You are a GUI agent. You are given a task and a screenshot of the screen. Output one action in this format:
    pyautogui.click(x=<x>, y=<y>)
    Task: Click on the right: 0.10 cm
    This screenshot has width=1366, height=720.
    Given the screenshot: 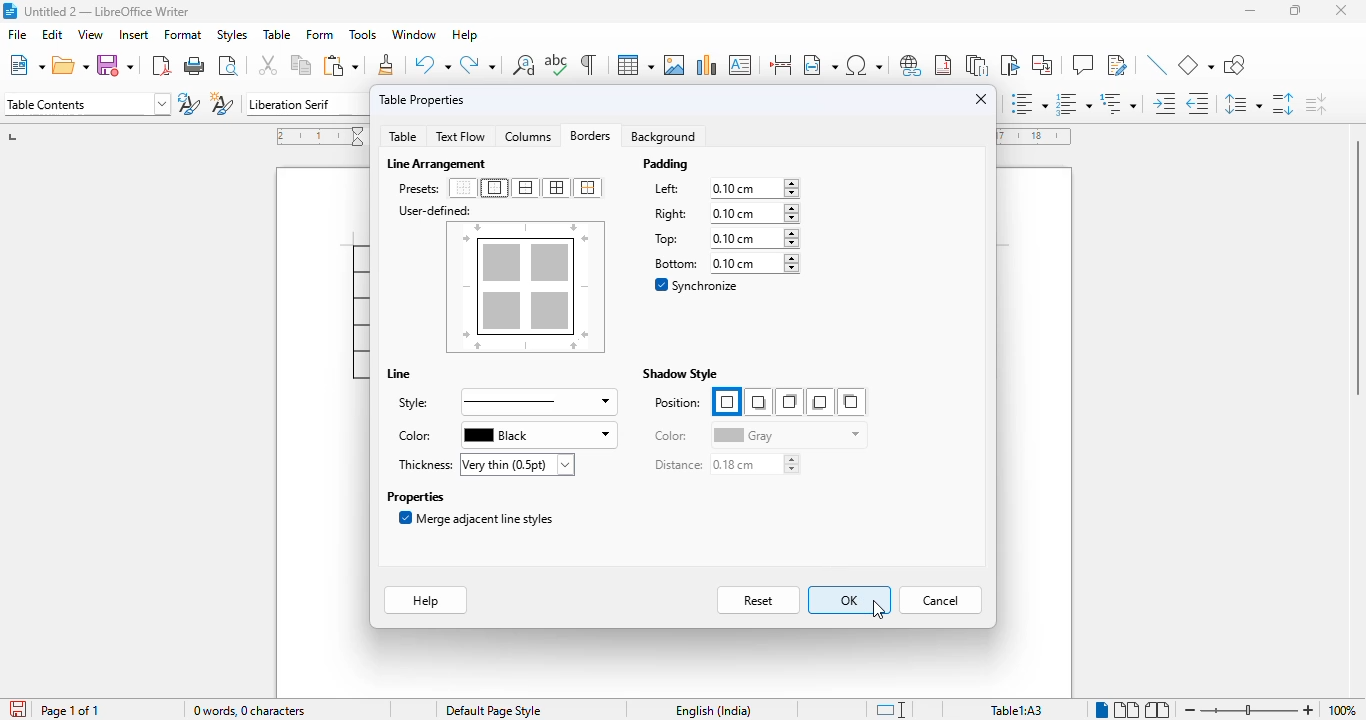 What is the action you would take?
    pyautogui.click(x=724, y=213)
    